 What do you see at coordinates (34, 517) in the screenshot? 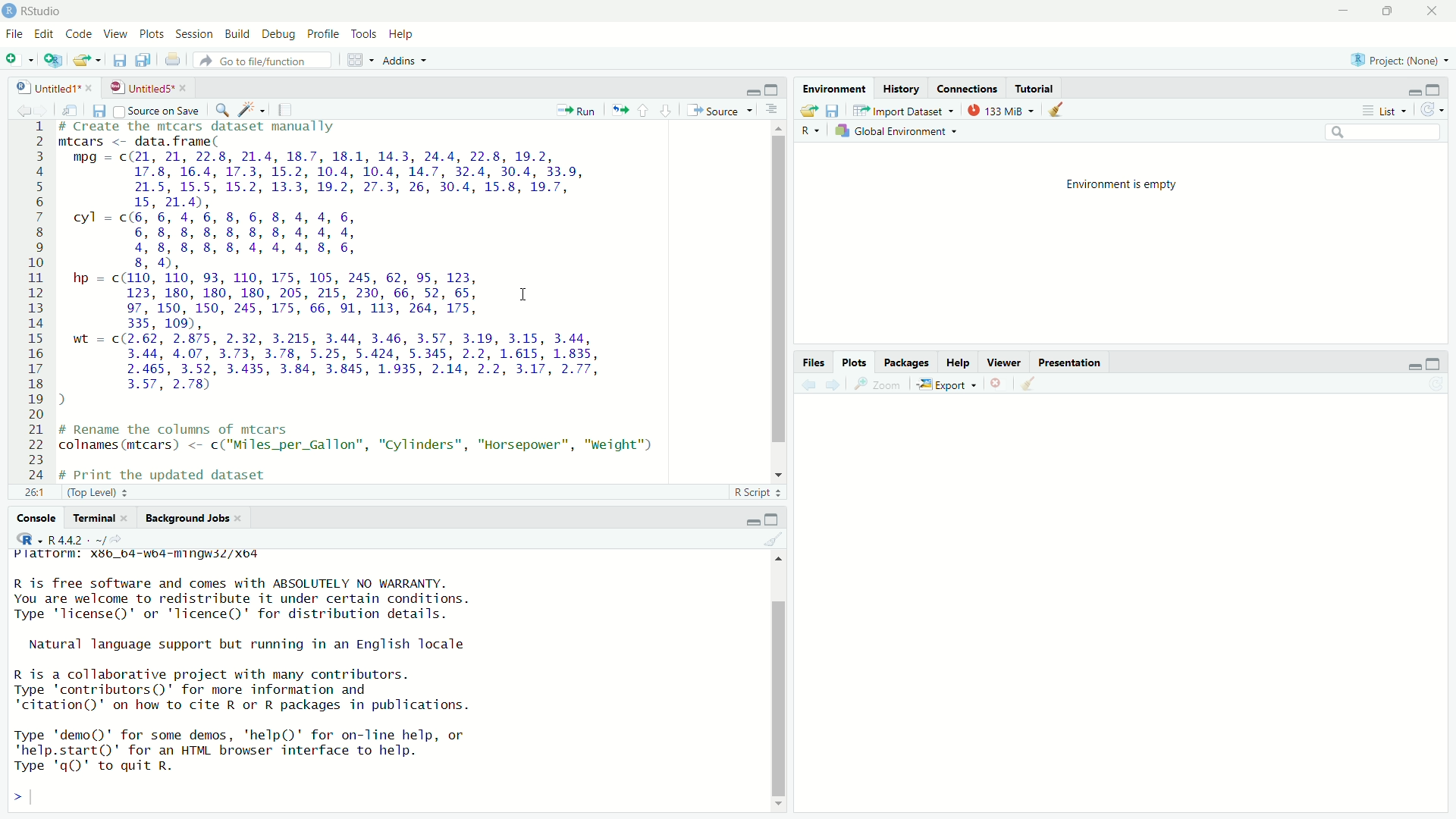
I see `Console` at bounding box center [34, 517].